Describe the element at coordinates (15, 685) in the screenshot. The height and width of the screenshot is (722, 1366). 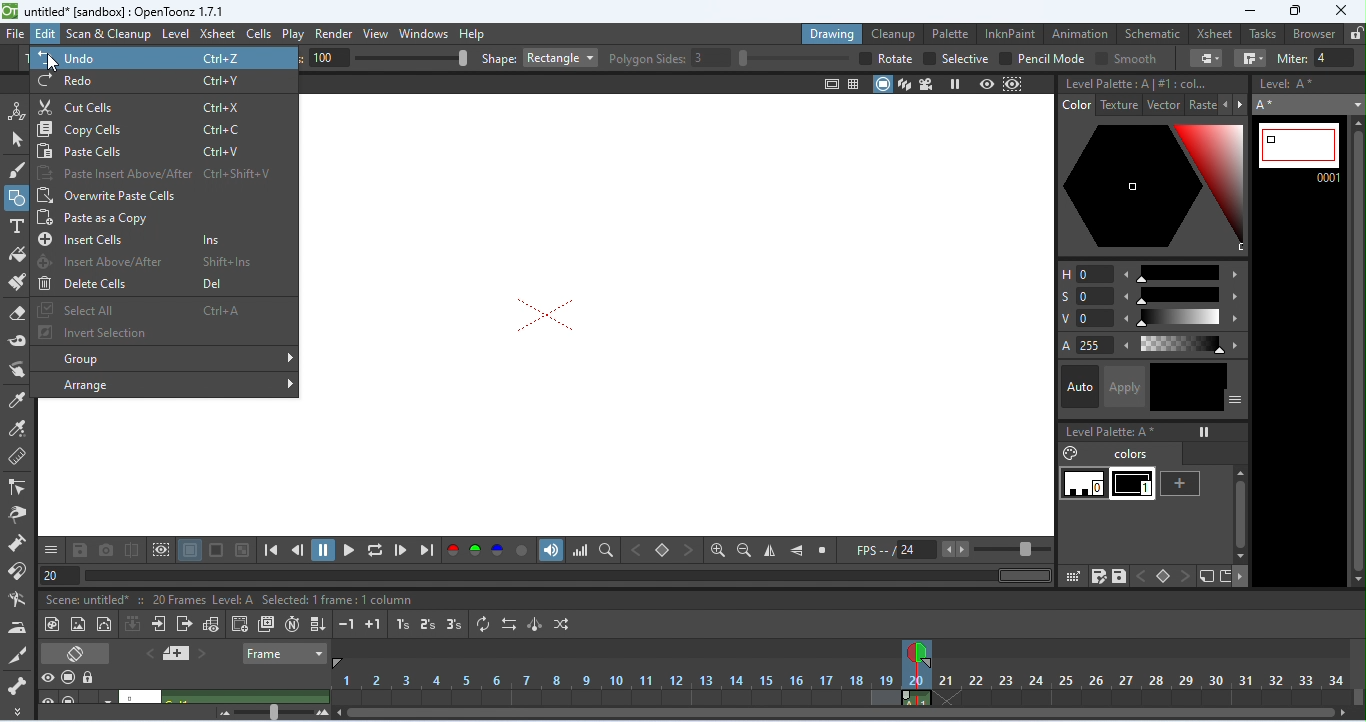
I see `skeleton` at that location.